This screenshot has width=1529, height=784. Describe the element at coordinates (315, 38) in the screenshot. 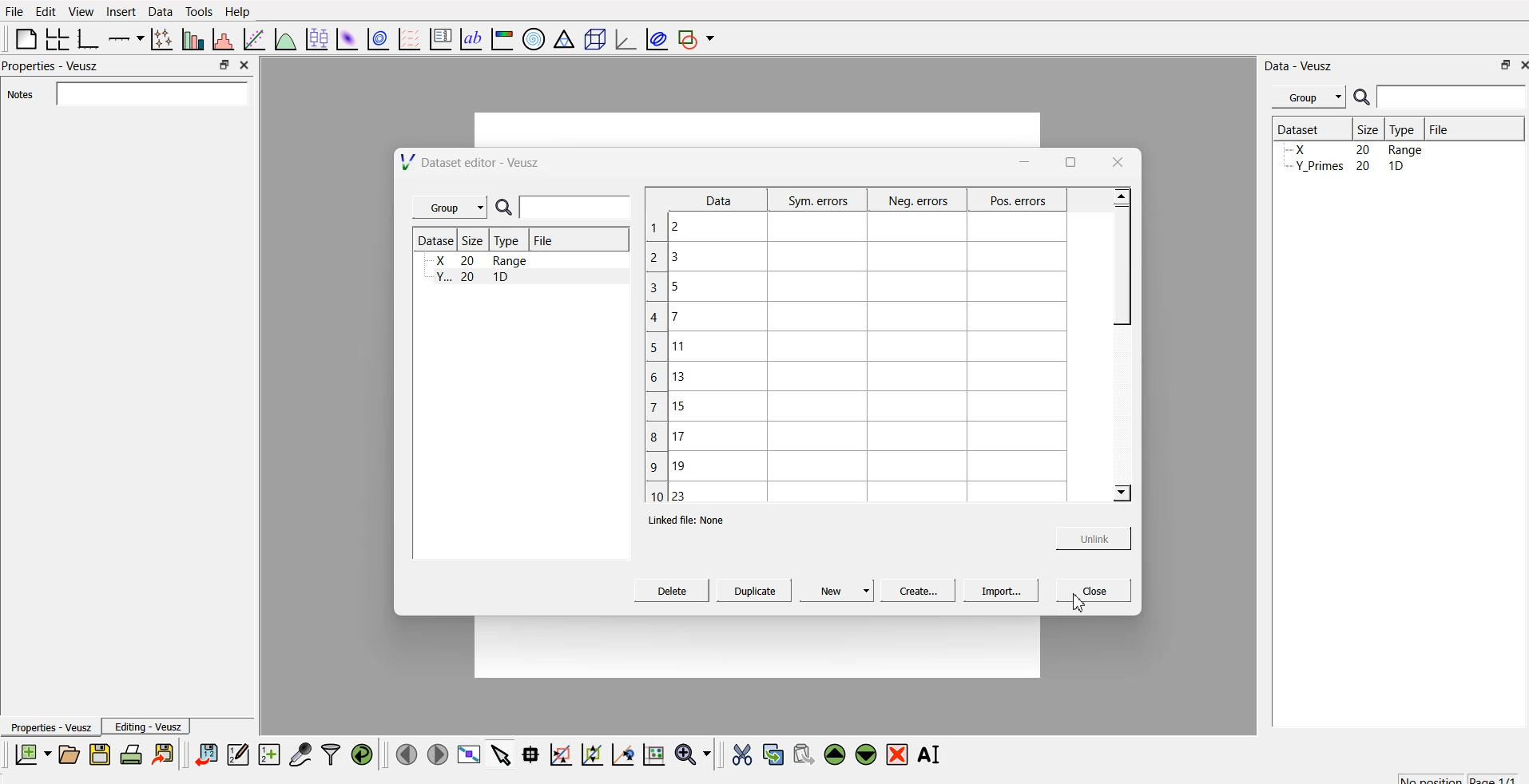

I see `plot box plots` at that location.